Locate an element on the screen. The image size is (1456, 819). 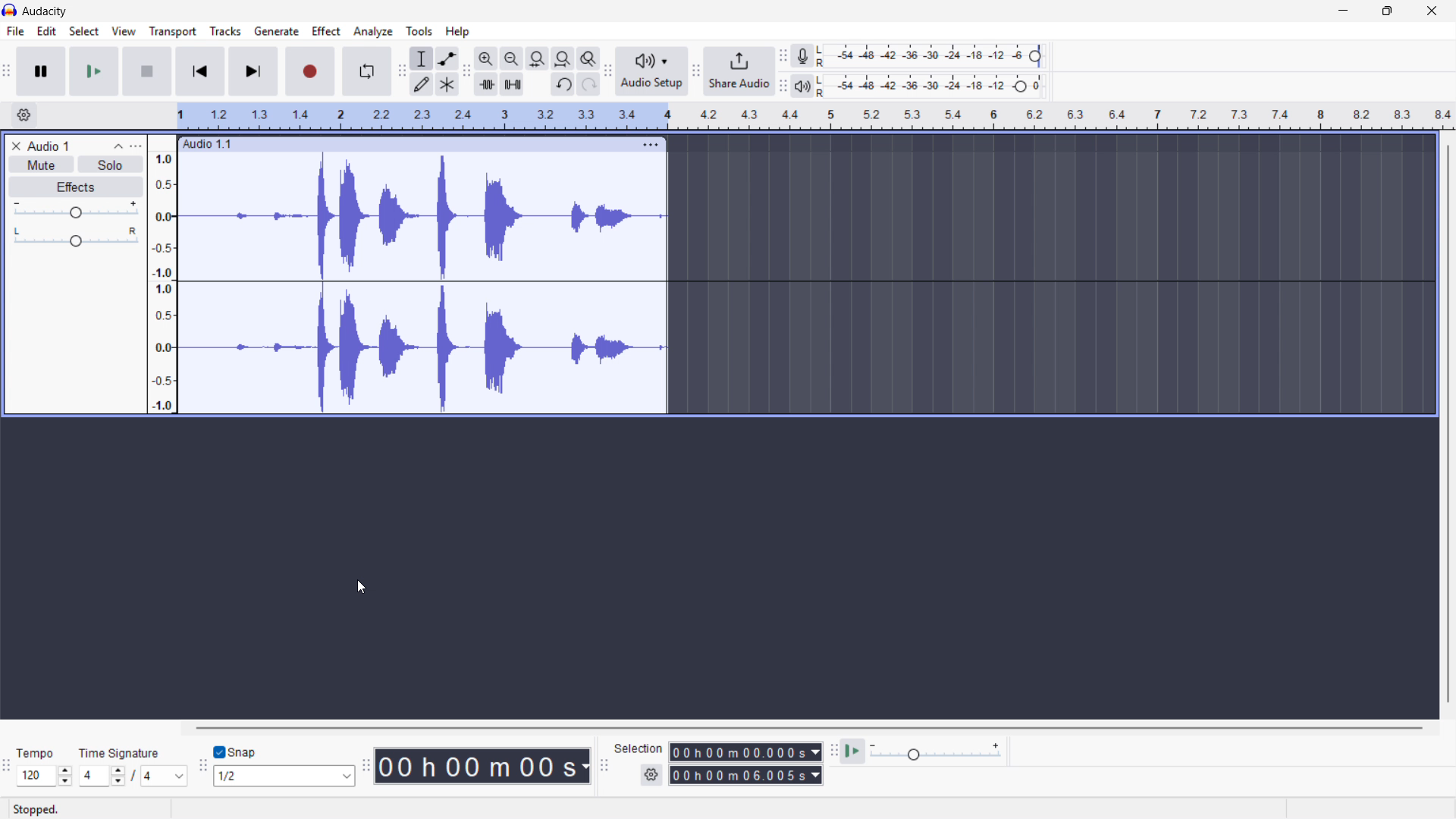
Tracks is located at coordinates (225, 30).